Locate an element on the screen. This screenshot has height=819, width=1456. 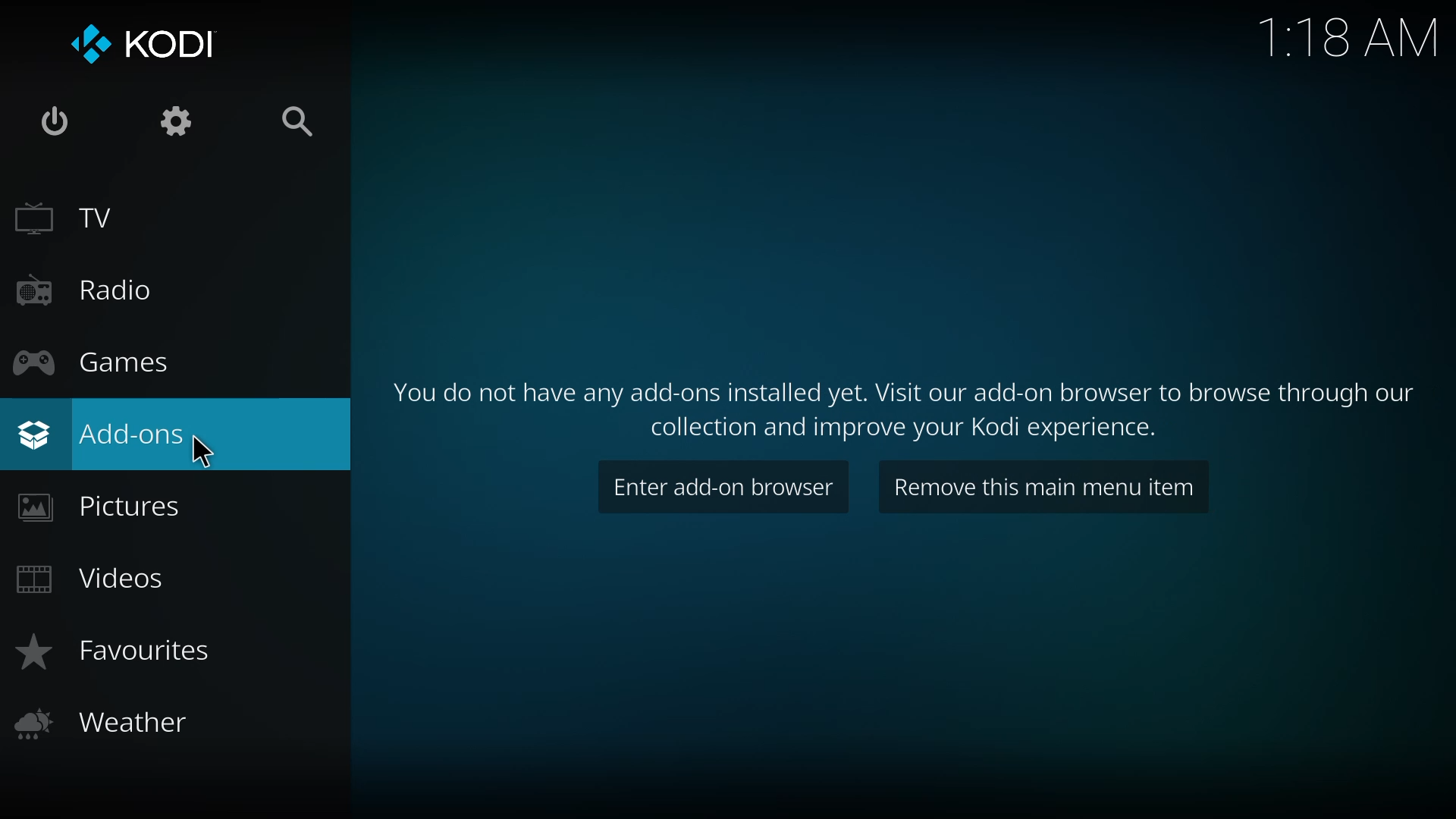
pictures is located at coordinates (99, 507).